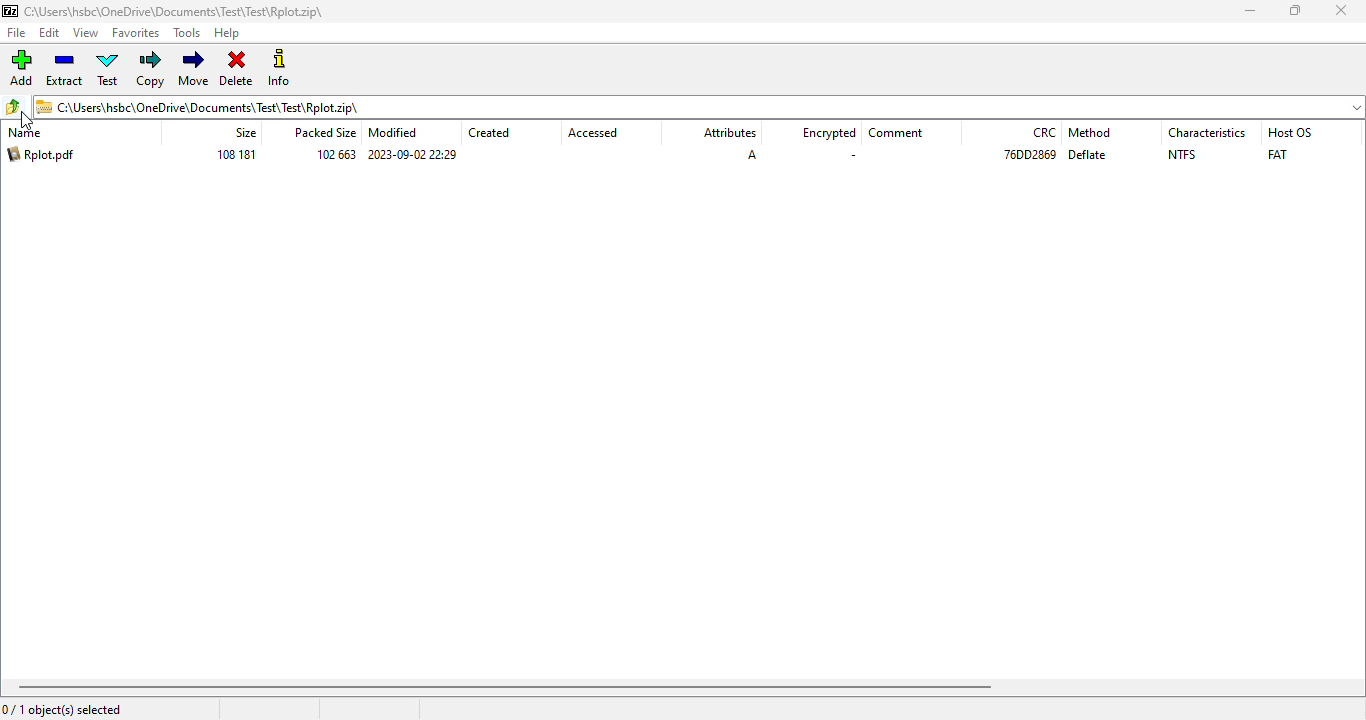  Describe the element at coordinates (1340, 10) in the screenshot. I see `close` at that location.